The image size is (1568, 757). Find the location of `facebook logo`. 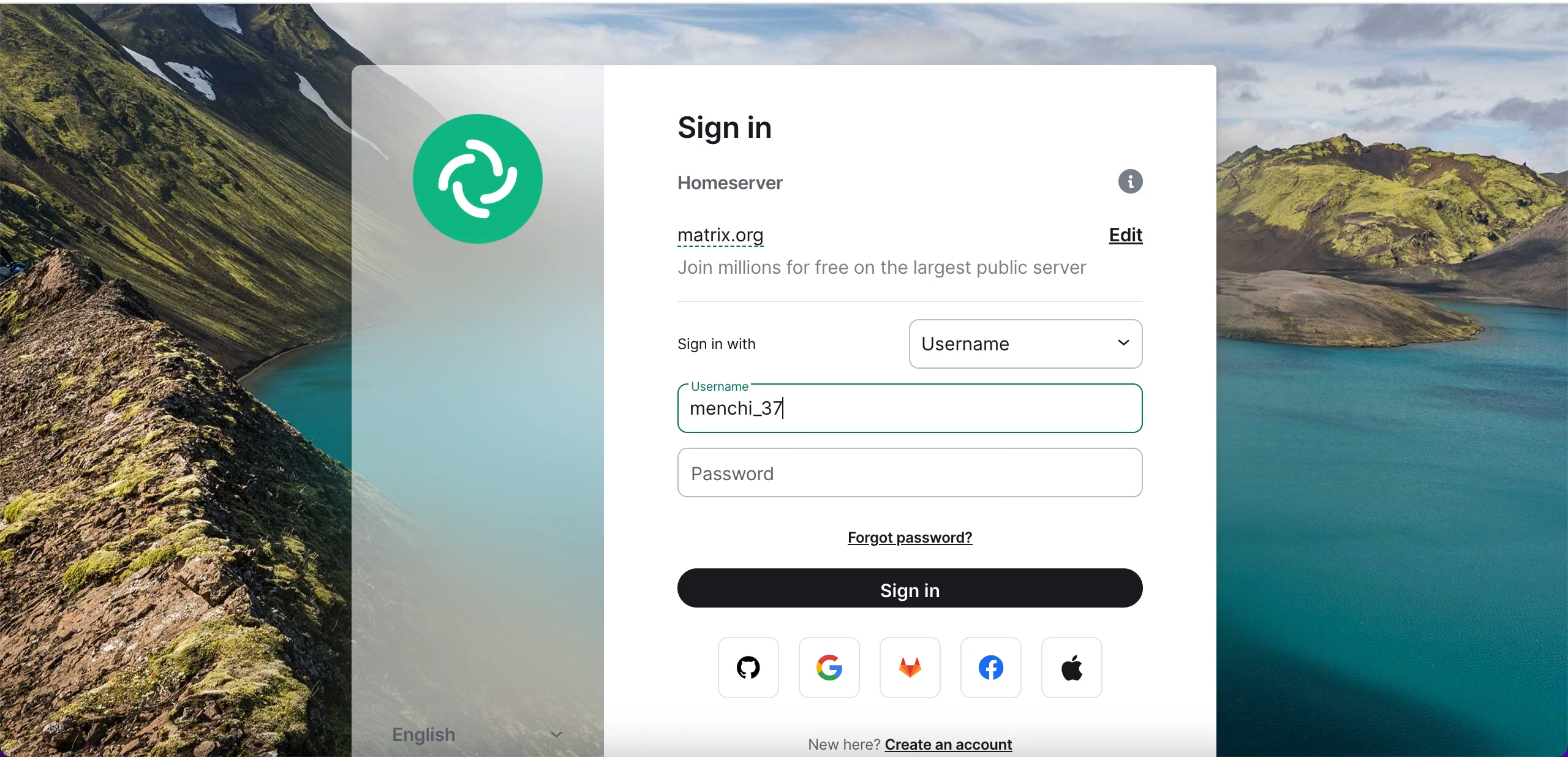

facebook logo is located at coordinates (994, 668).